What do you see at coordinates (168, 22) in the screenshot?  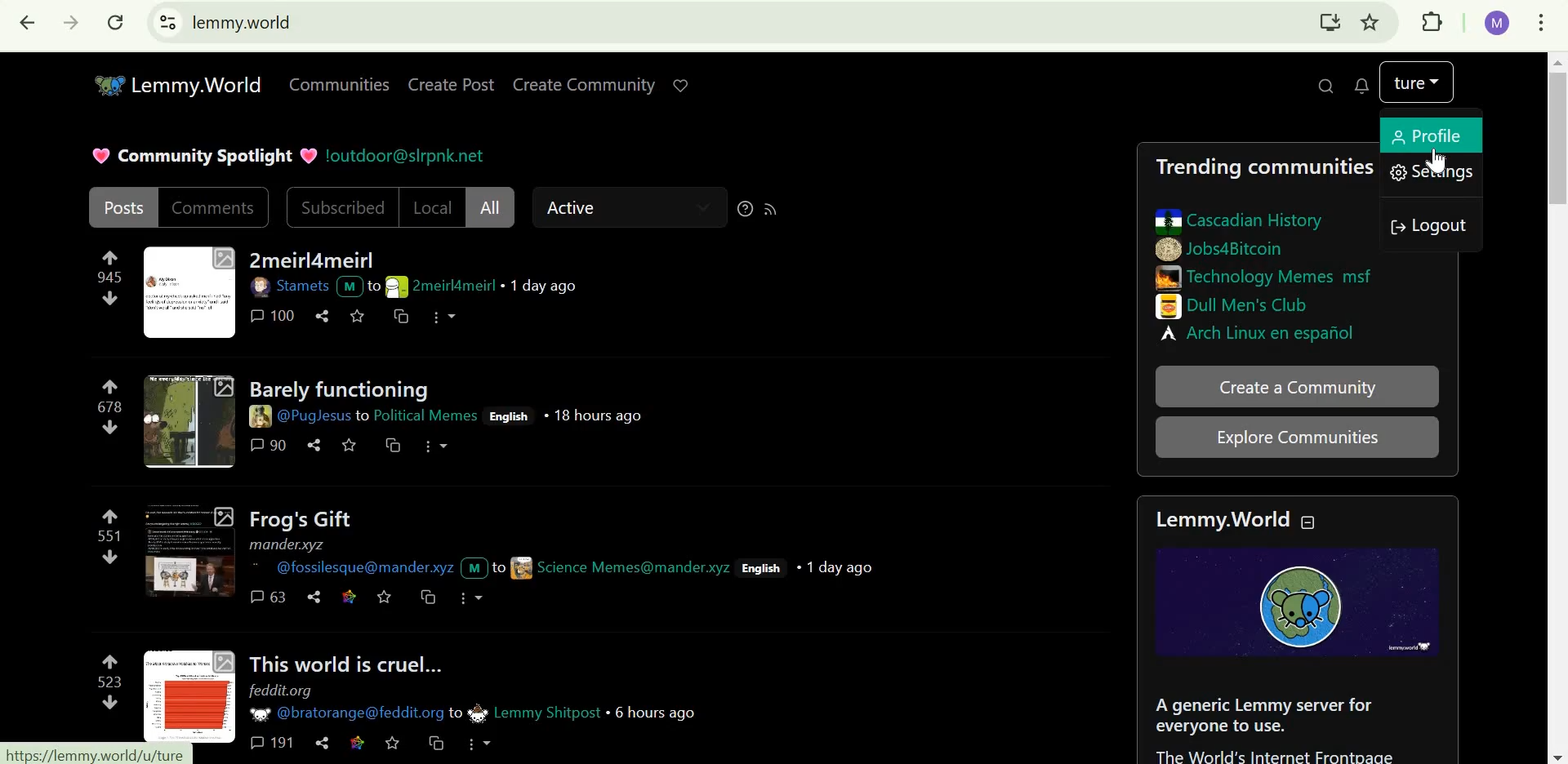 I see `view site information` at bounding box center [168, 22].